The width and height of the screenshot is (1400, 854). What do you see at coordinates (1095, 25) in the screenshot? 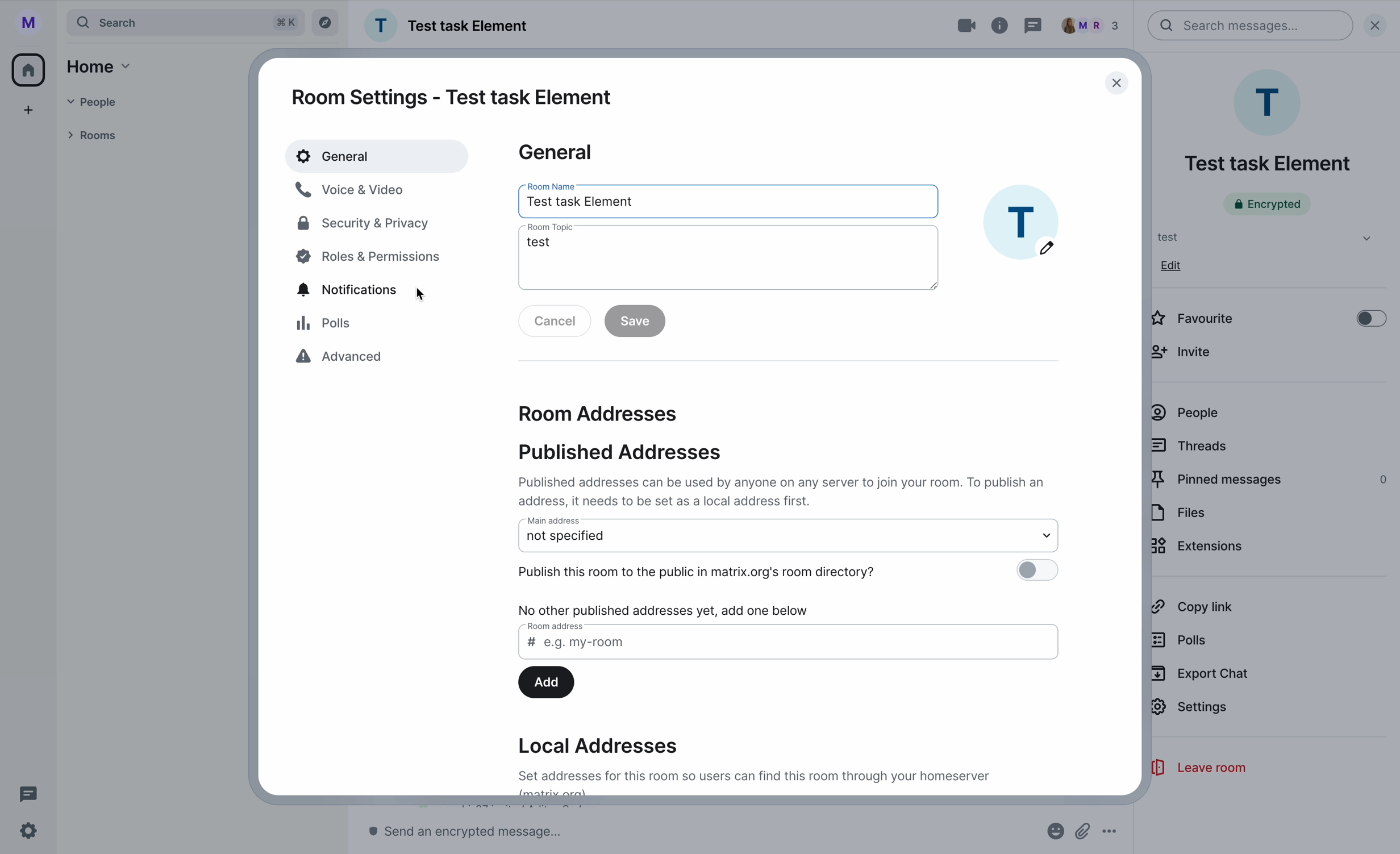
I see `people` at bounding box center [1095, 25].